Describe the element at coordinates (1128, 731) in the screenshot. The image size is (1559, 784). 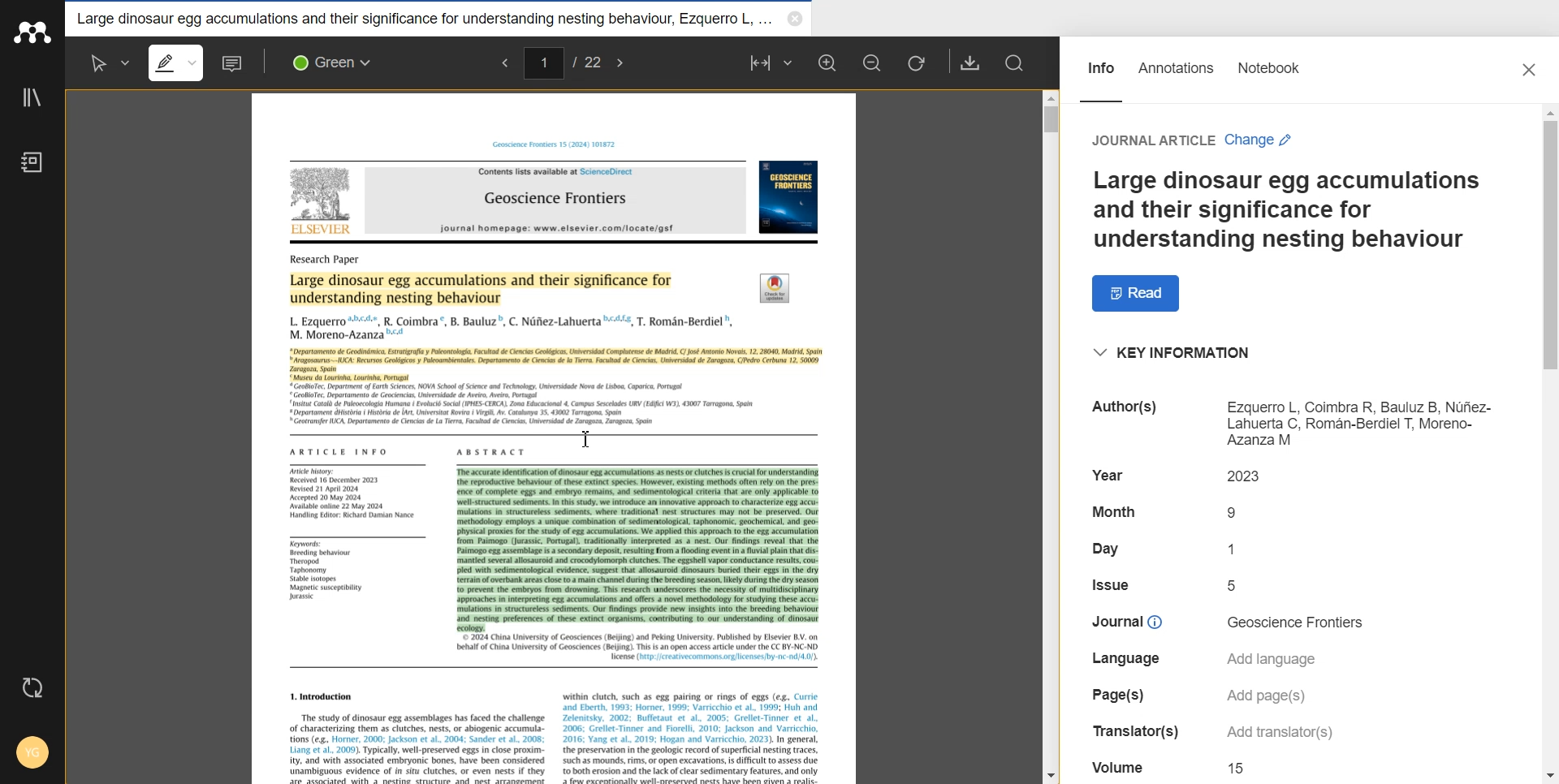
I see `text` at that location.